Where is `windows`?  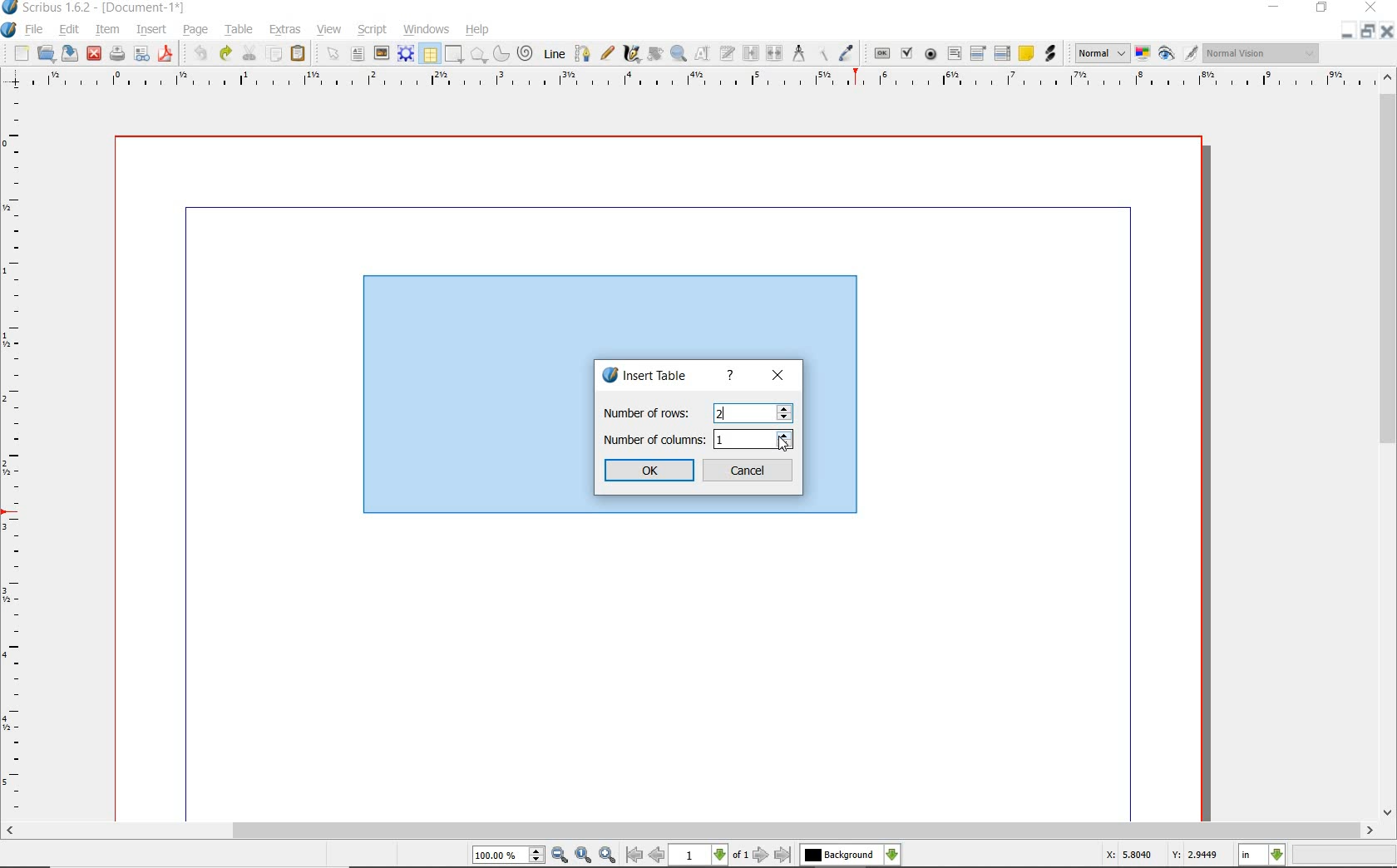 windows is located at coordinates (426, 30).